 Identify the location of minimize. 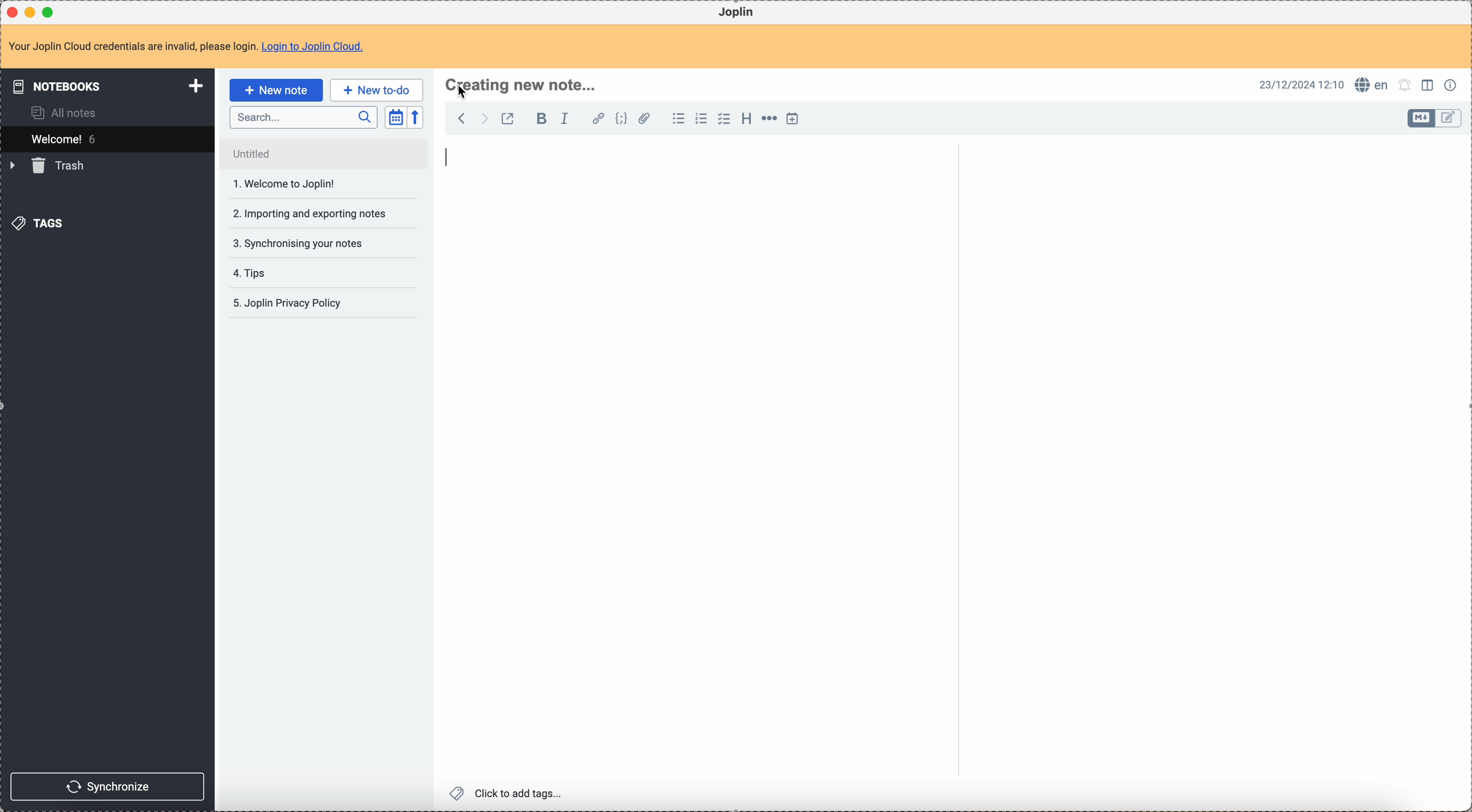
(33, 11).